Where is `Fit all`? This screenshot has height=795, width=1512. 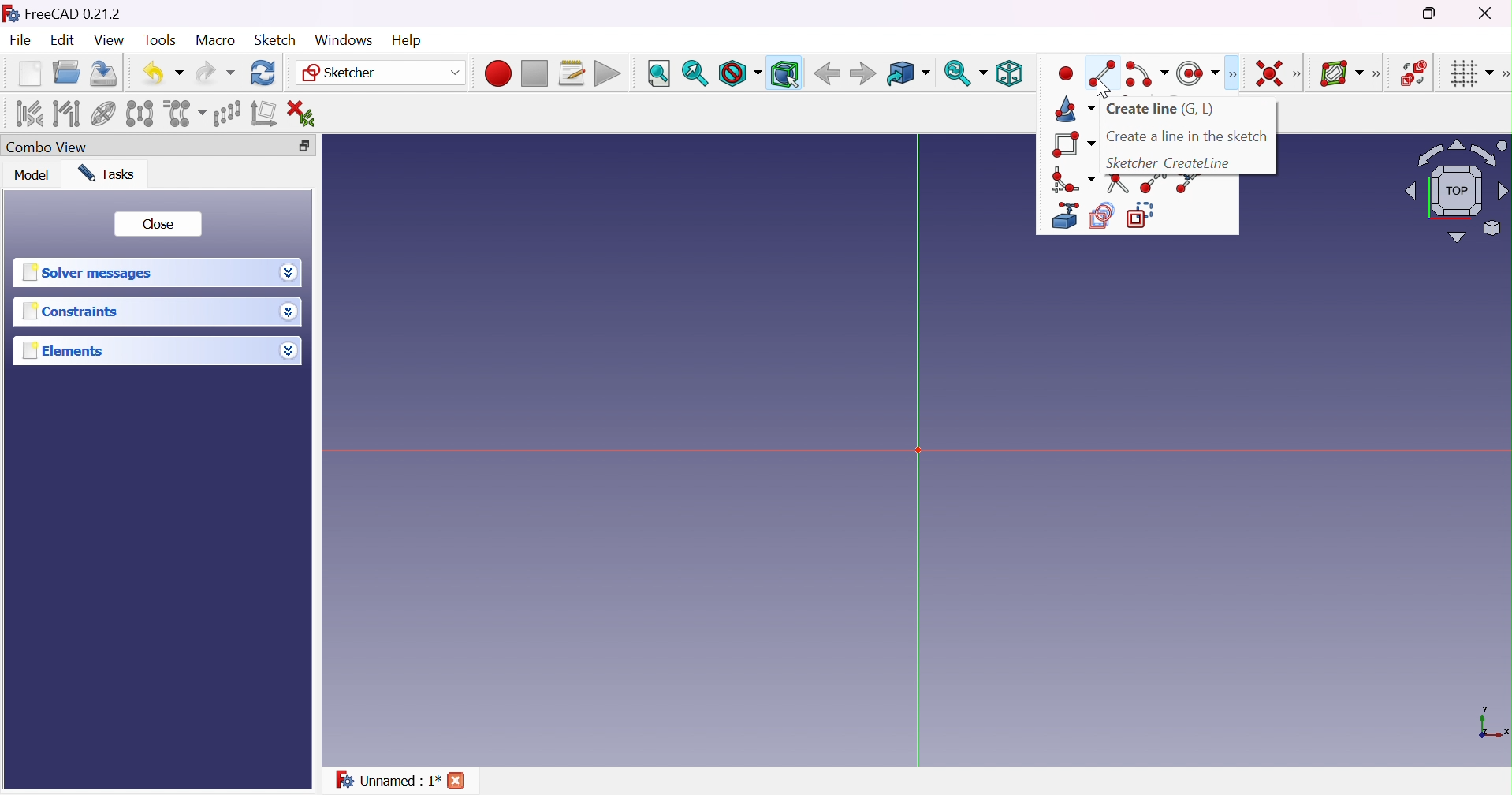
Fit all is located at coordinates (657, 73).